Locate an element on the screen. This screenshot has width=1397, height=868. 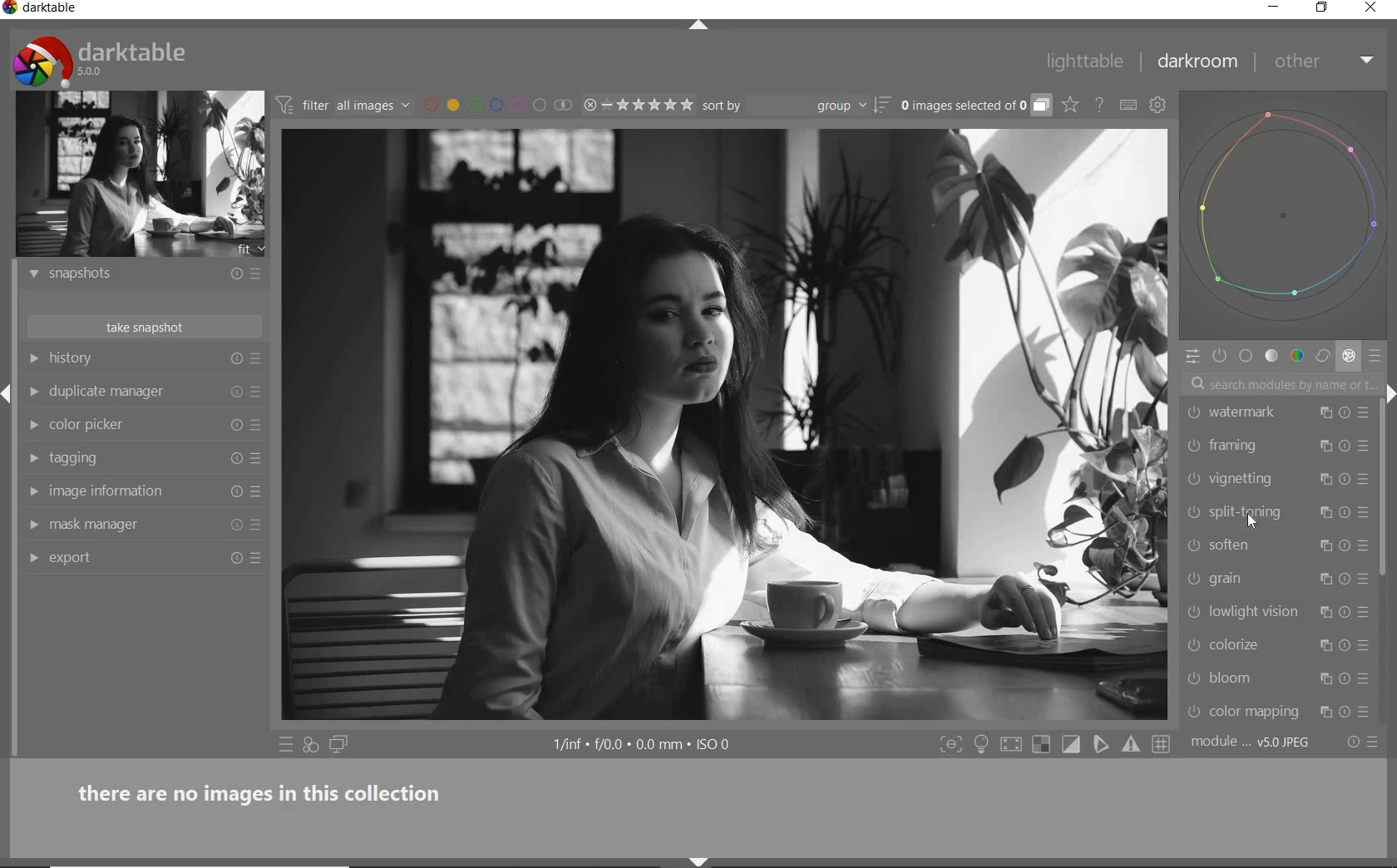
colorize is located at coordinates (1253, 644).